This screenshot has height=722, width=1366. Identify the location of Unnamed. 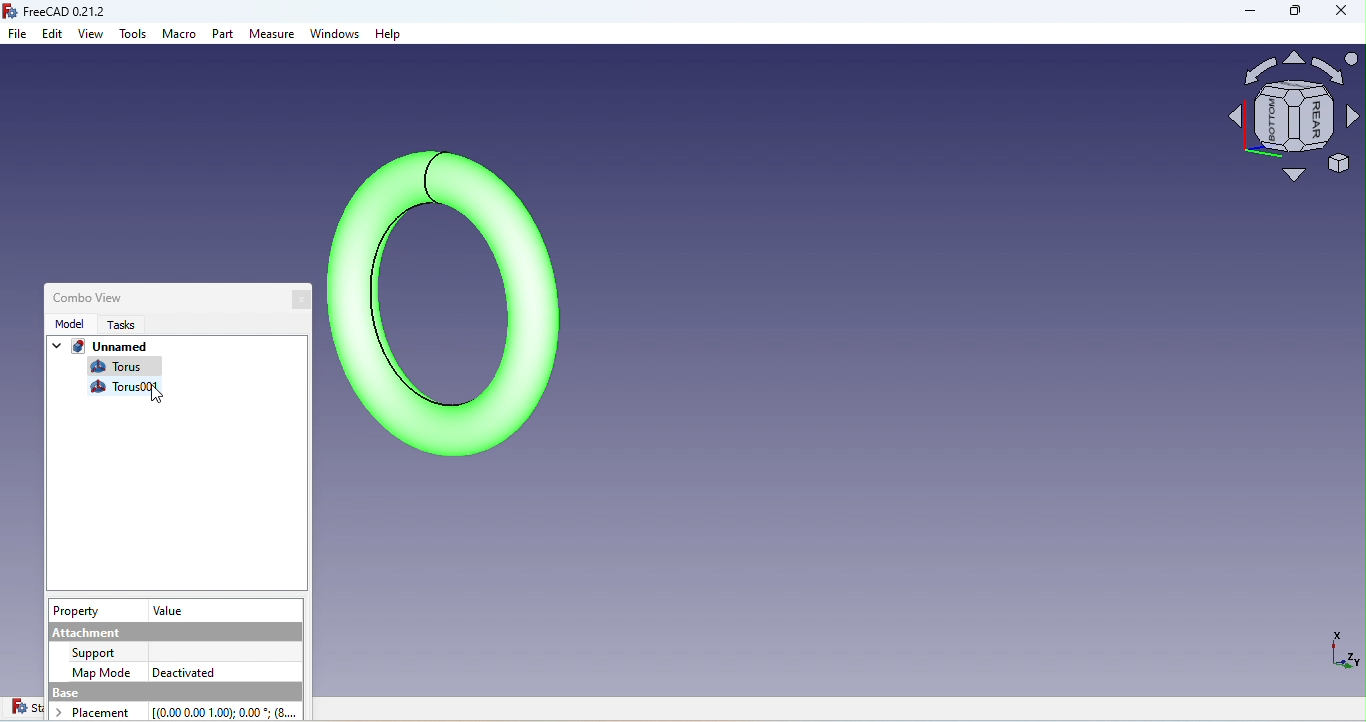
(99, 350).